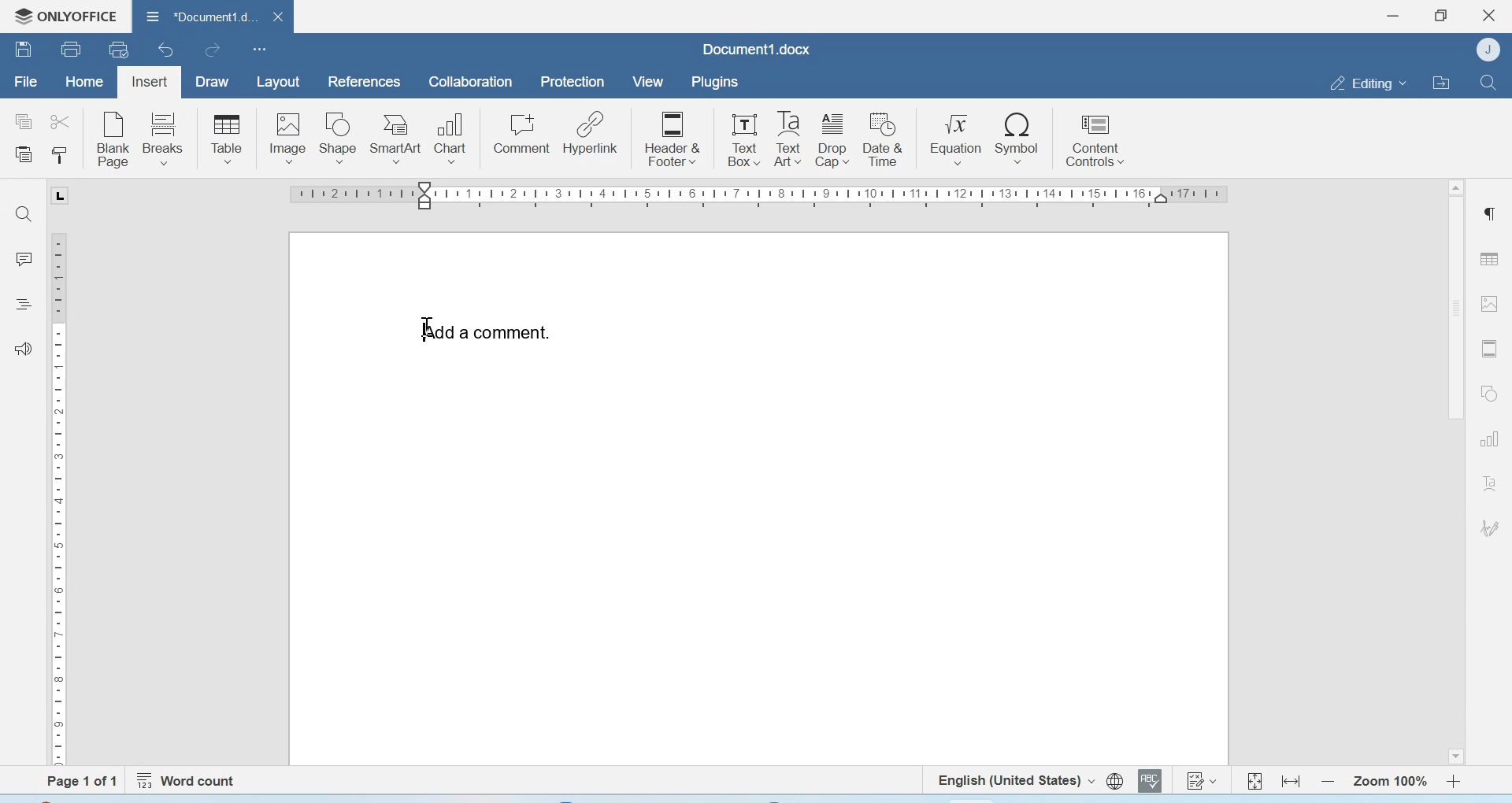  What do you see at coordinates (25, 82) in the screenshot?
I see `File` at bounding box center [25, 82].